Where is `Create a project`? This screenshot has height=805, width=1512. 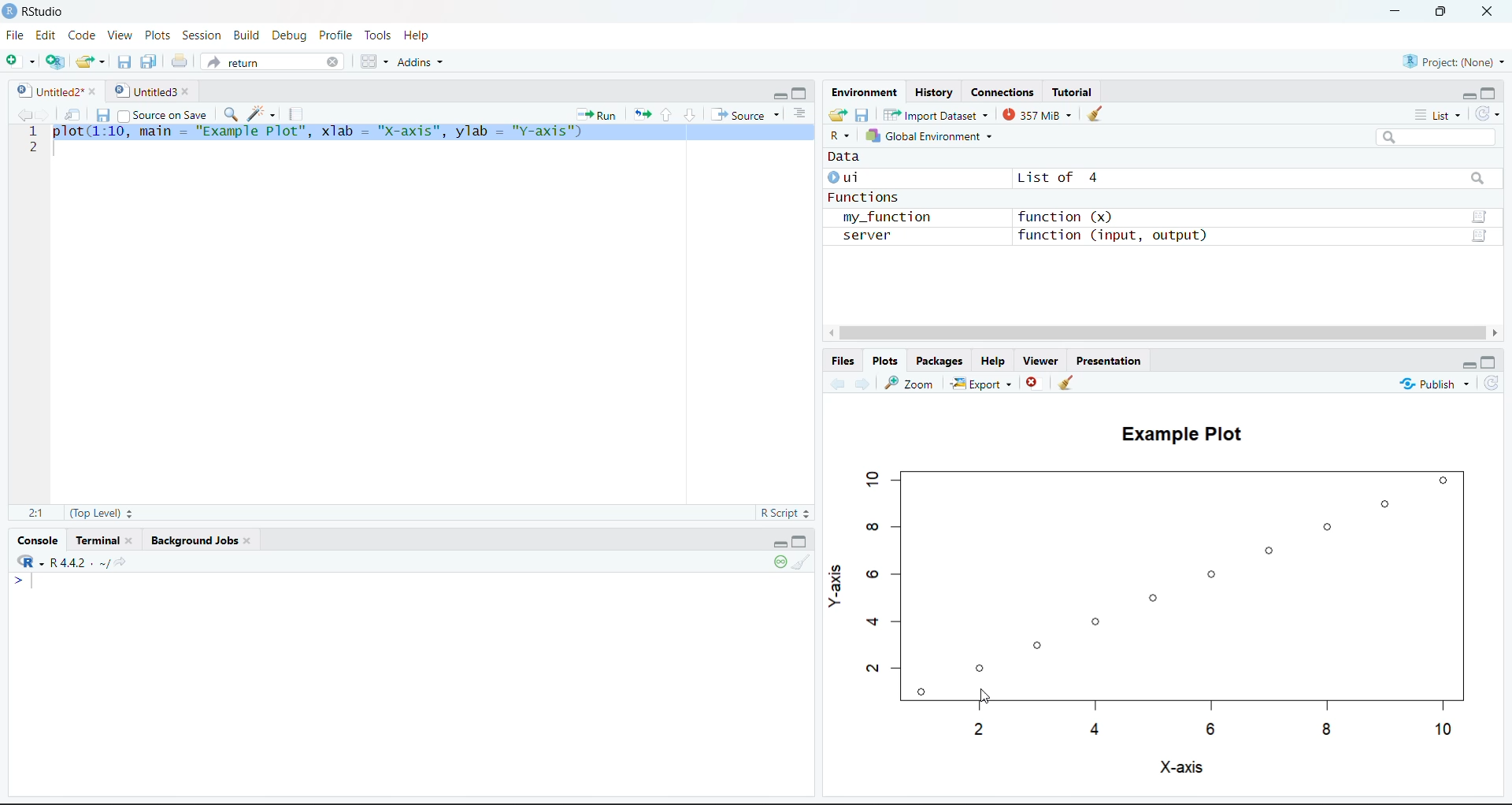 Create a project is located at coordinates (54, 61).